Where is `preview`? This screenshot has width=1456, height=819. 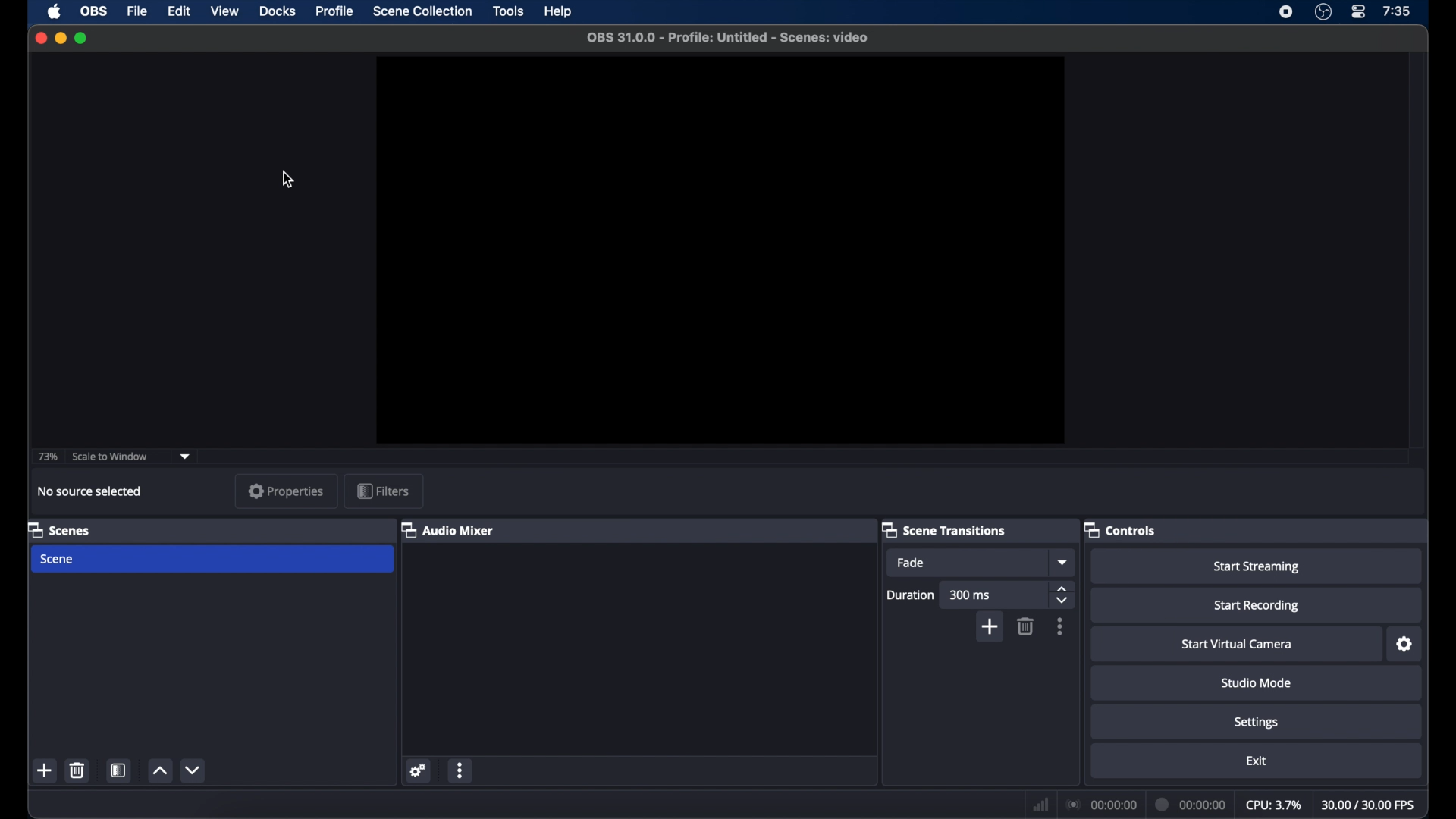
preview is located at coordinates (720, 251).